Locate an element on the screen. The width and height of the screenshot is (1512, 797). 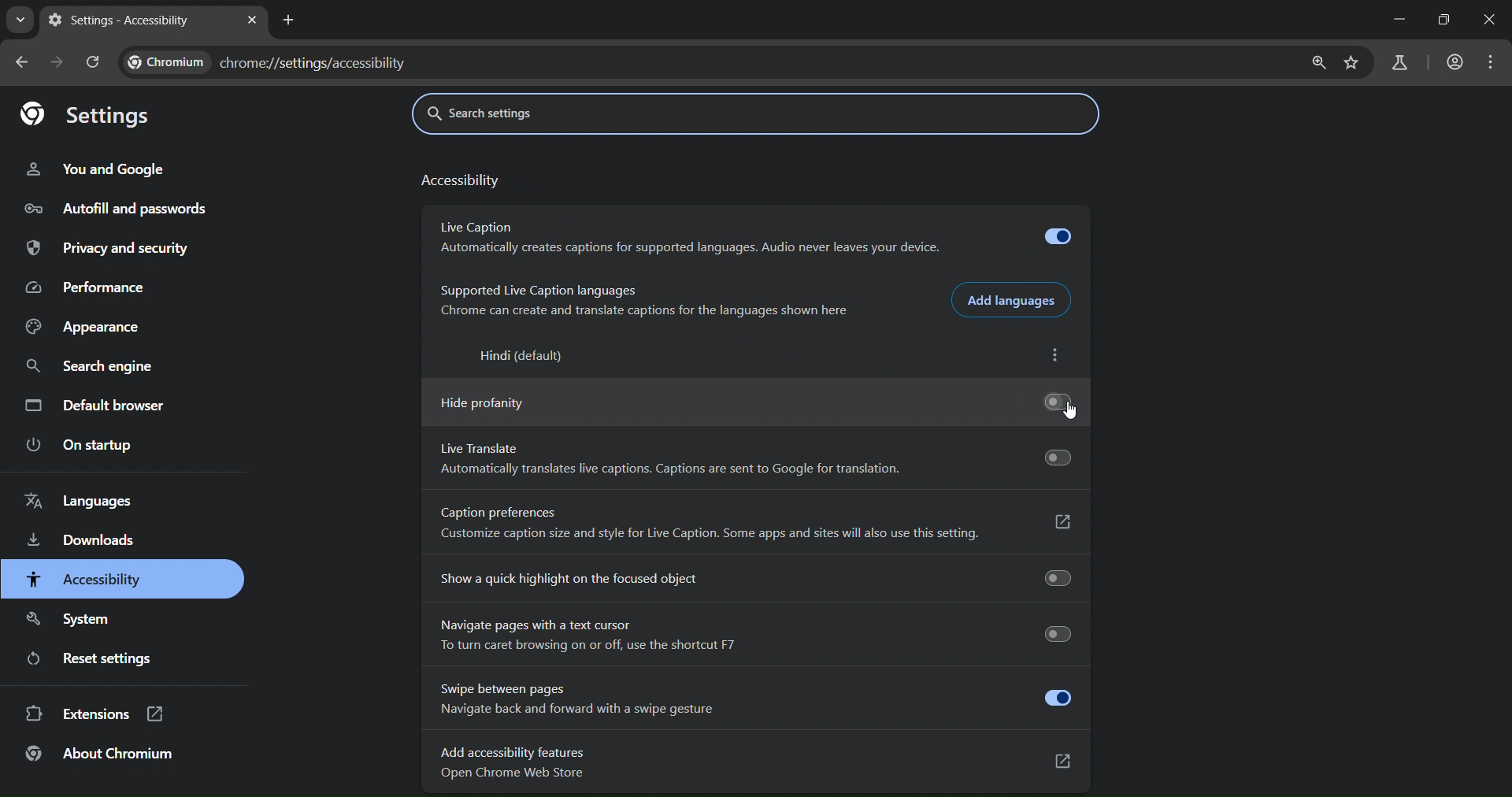
reset settings is located at coordinates (85, 659).